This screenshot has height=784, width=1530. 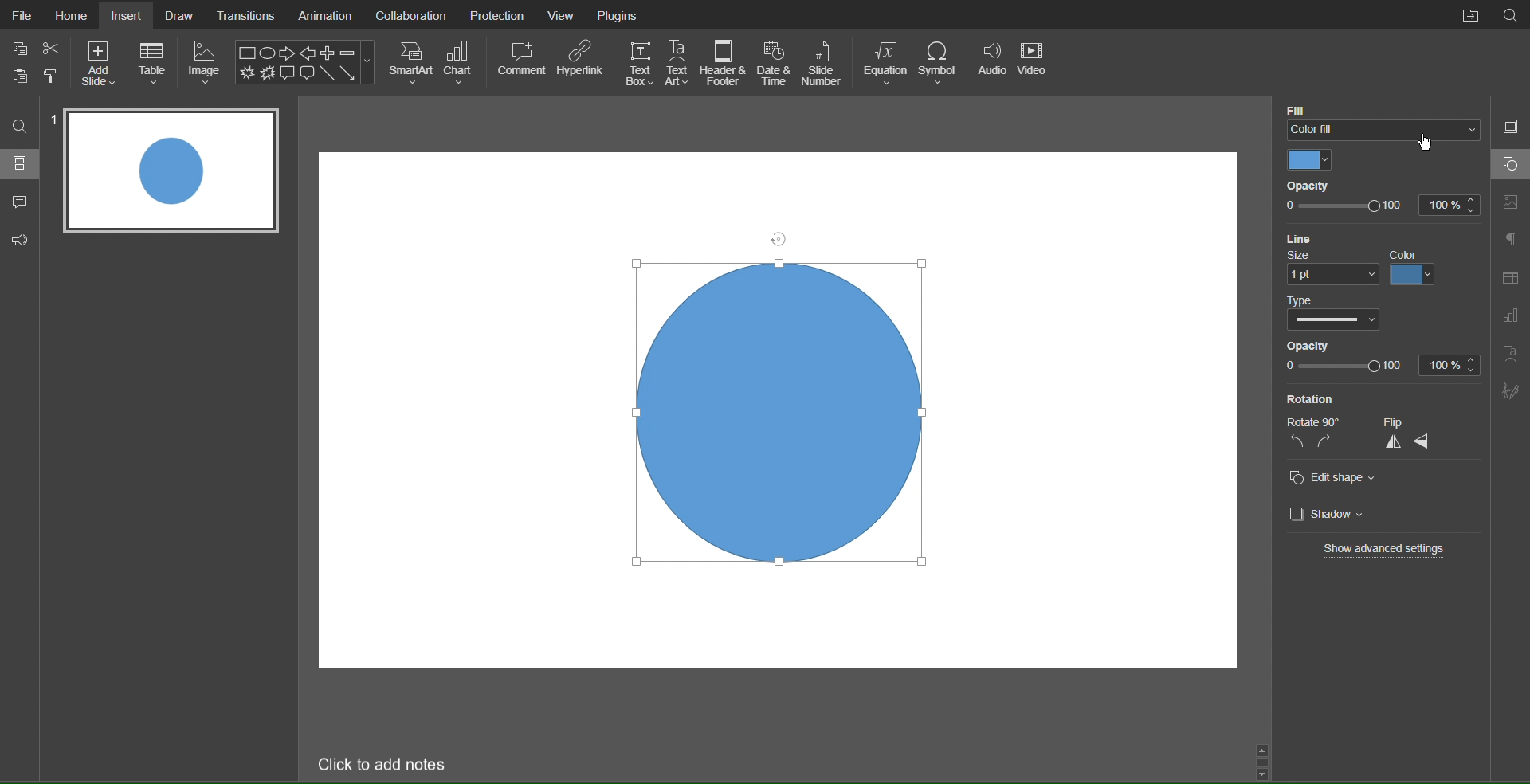 What do you see at coordinates (127, 14) in the screenshot?
I see `Insert` at bounding box center [127, 14].